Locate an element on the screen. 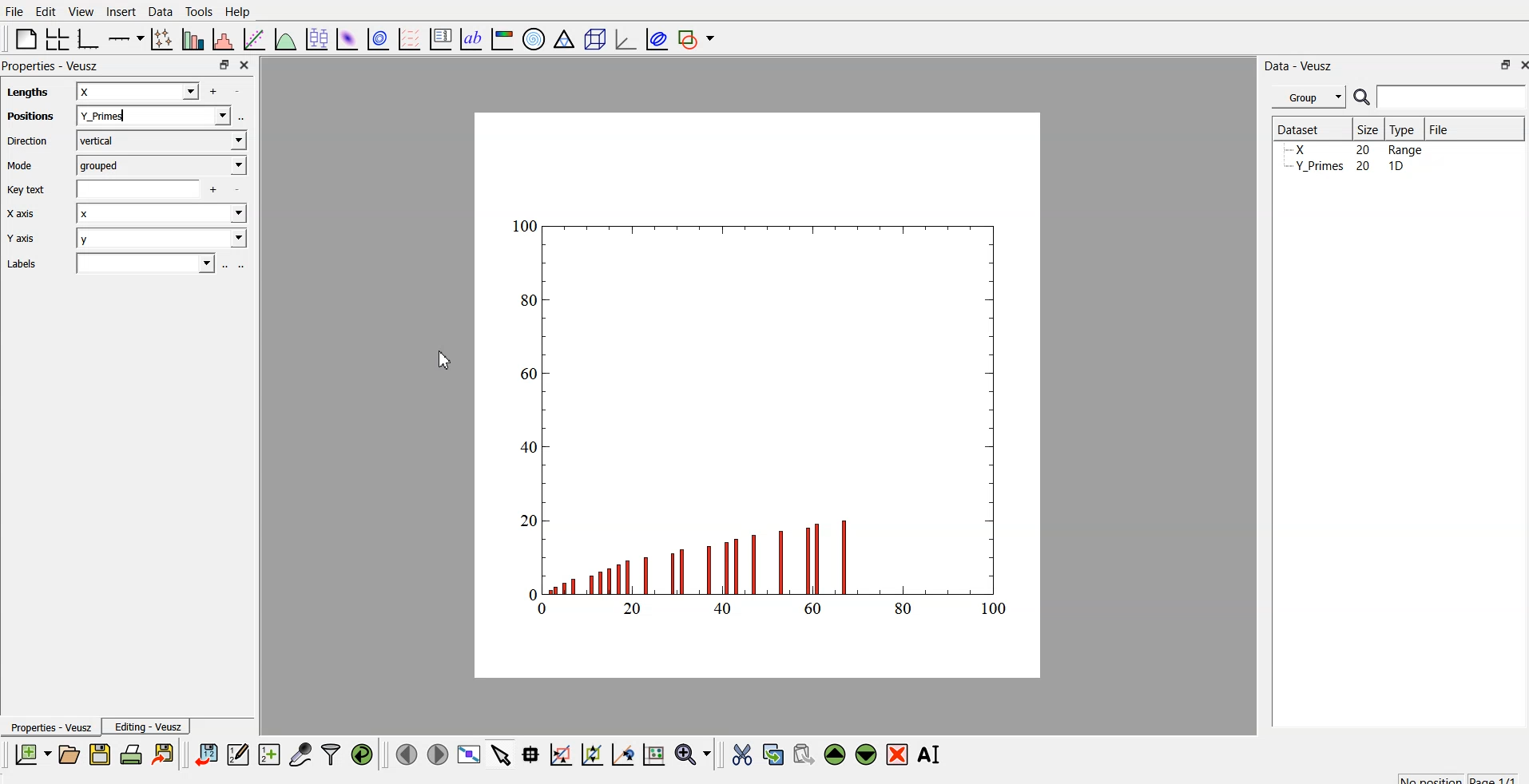  3D scene is located at coordinates (595, 41).